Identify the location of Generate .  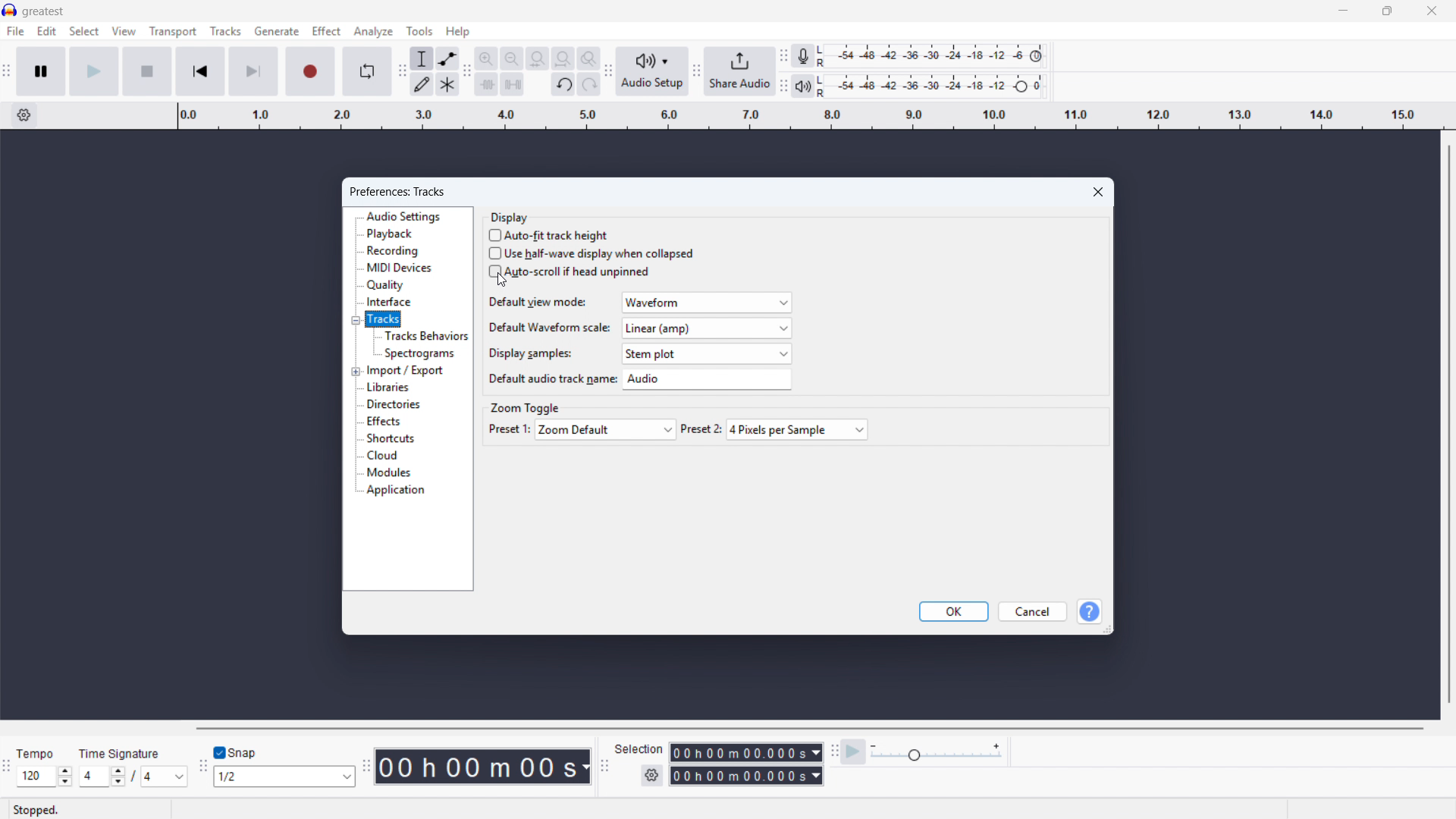
(277, 31).